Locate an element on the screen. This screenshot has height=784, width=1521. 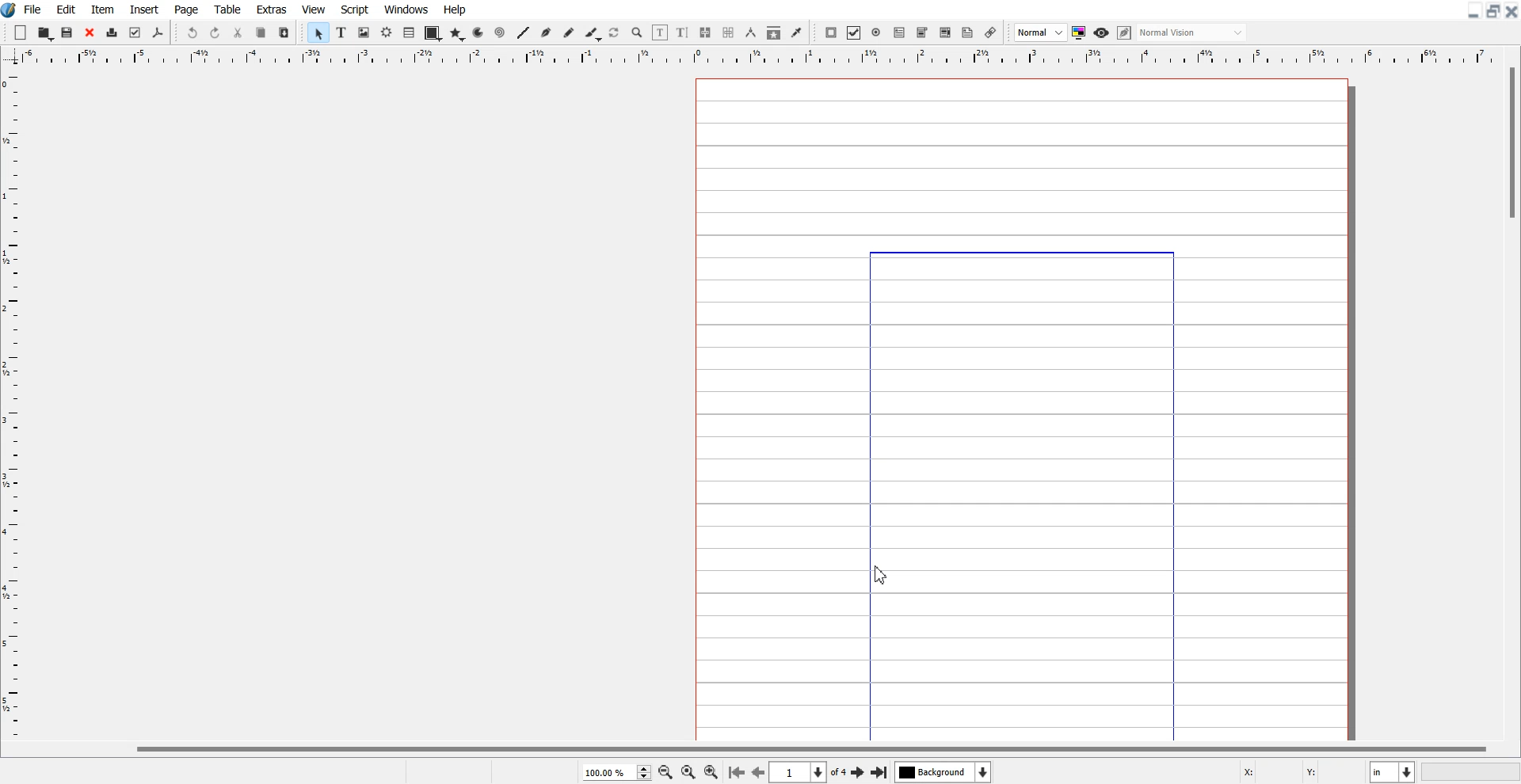
Cursor is located at coordinates (884, 573).